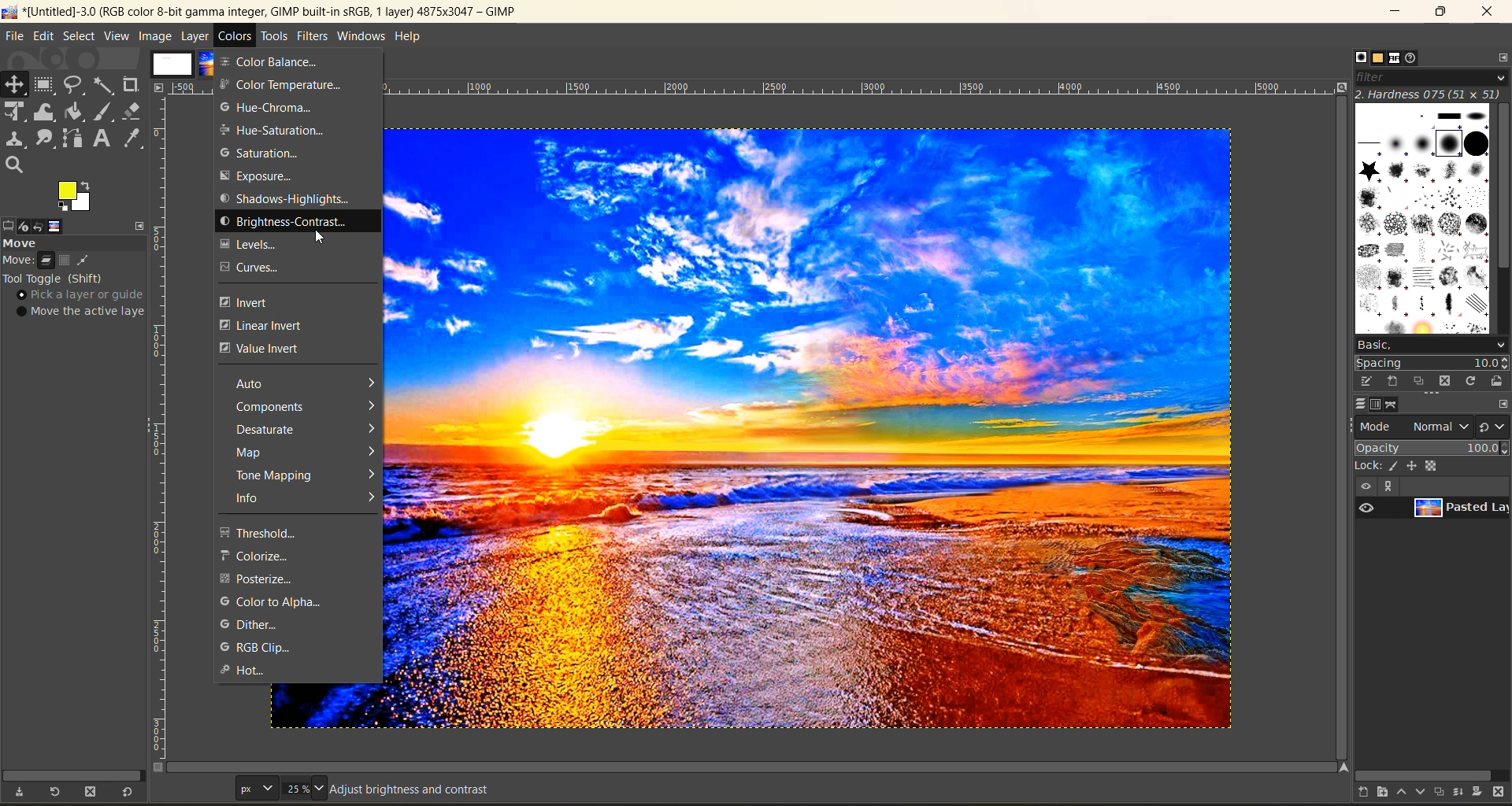 The image size is (1512, 806). Describe the element at coordinates (281, 533) in the screenshot. I see `threshold` at that location.